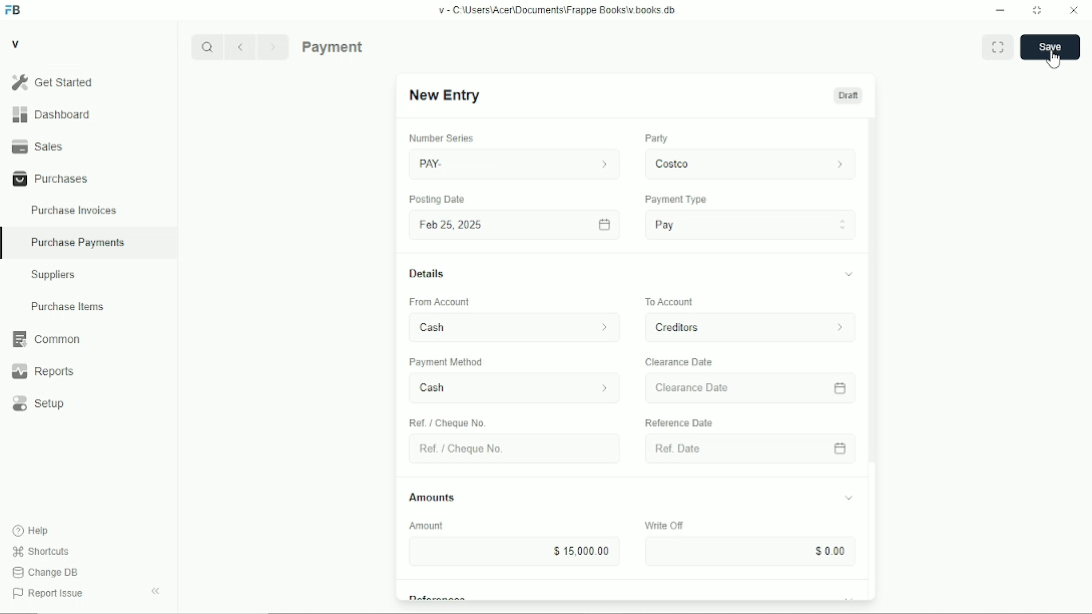 This screenshot has width=1092, height=614. What do you see at coordinates (274, 47) in the screenshot?
I see `Next` at bounding box center [274, 47].